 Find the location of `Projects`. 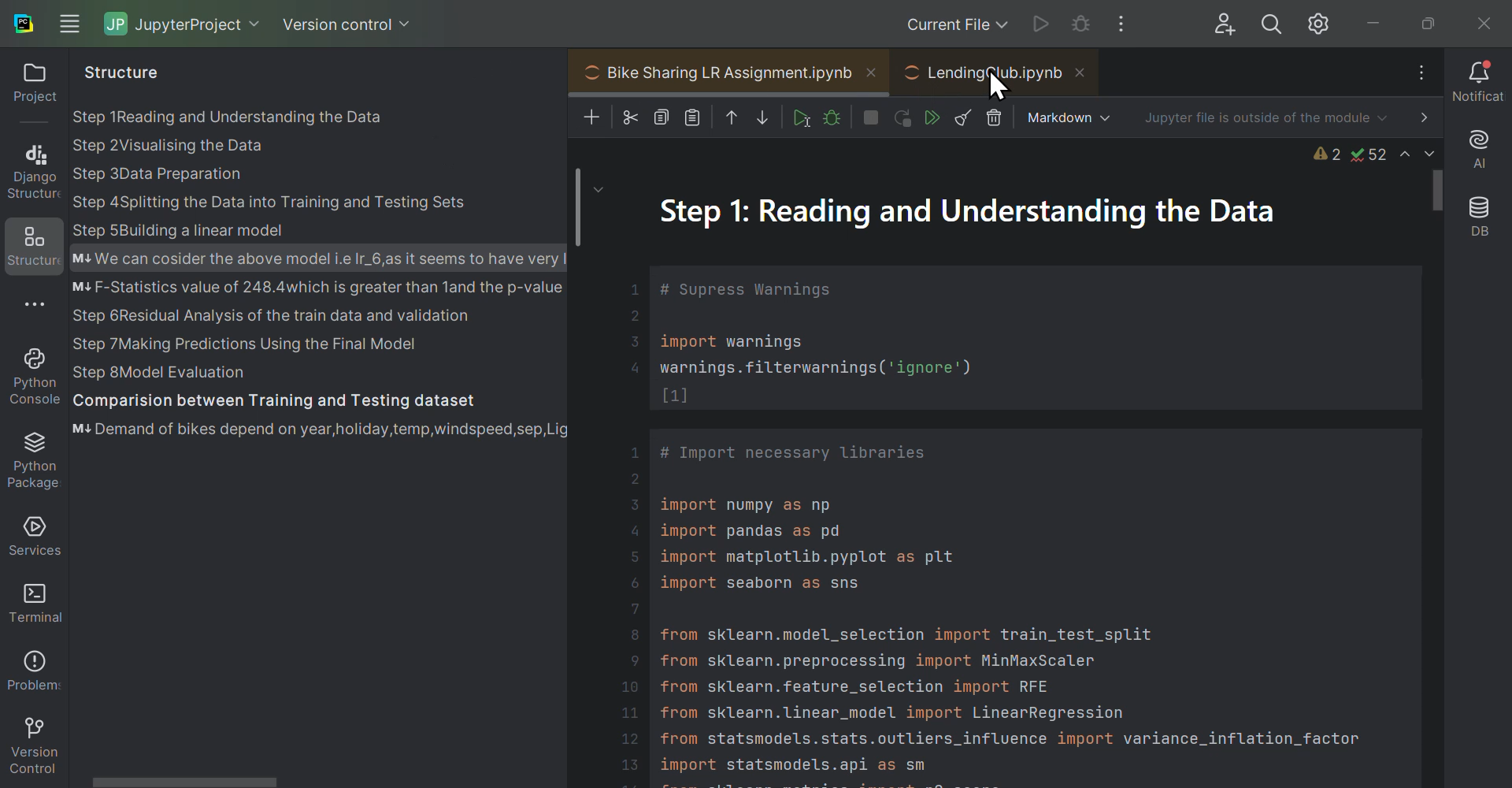

Projects is located at coordinates (835, 72).